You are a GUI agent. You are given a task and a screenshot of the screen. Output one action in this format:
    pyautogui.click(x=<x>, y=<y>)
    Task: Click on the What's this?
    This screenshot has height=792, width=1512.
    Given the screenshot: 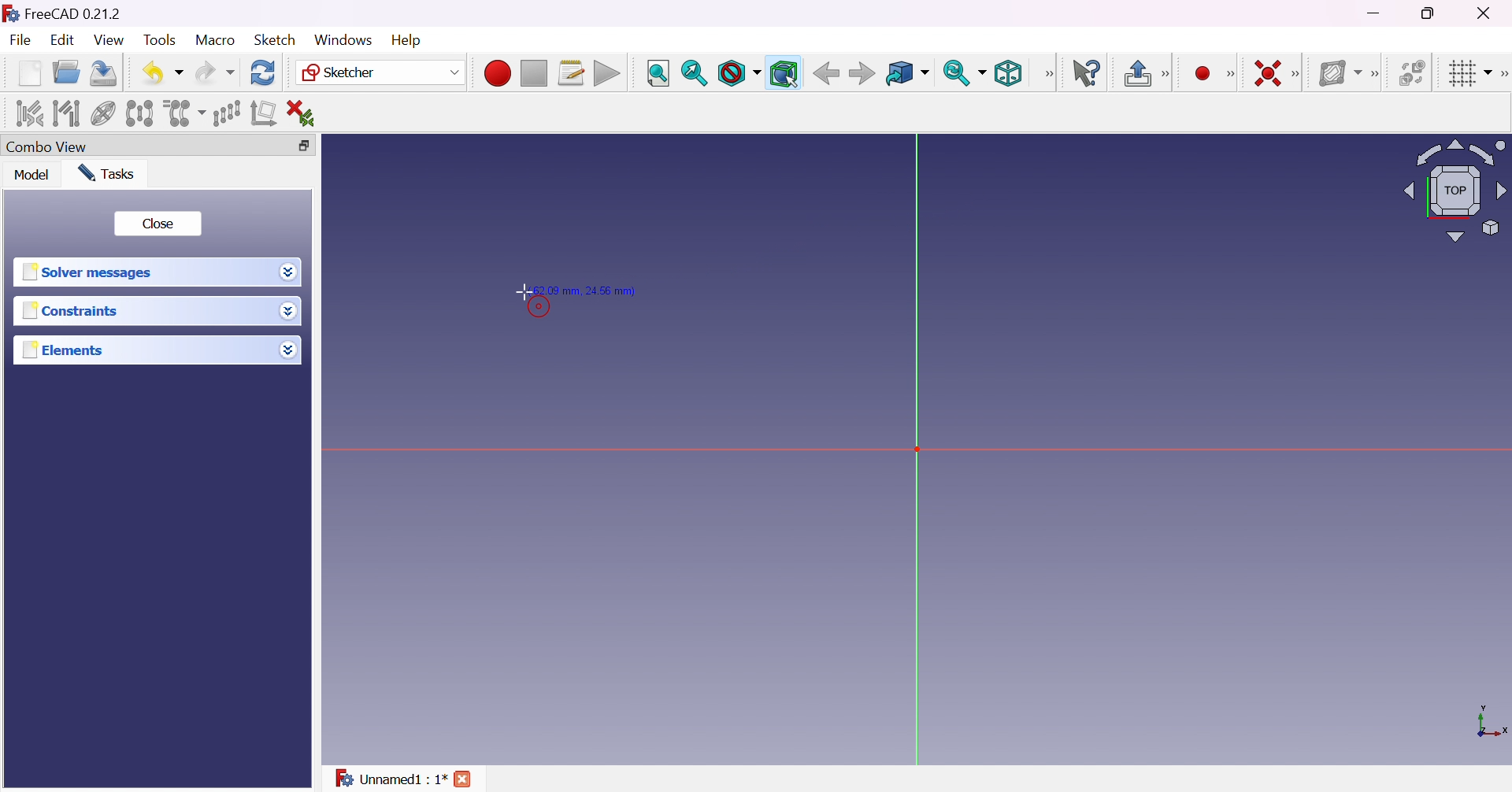 What is the action you would take?
    pyautogui.click(x=1088, y=73)
    